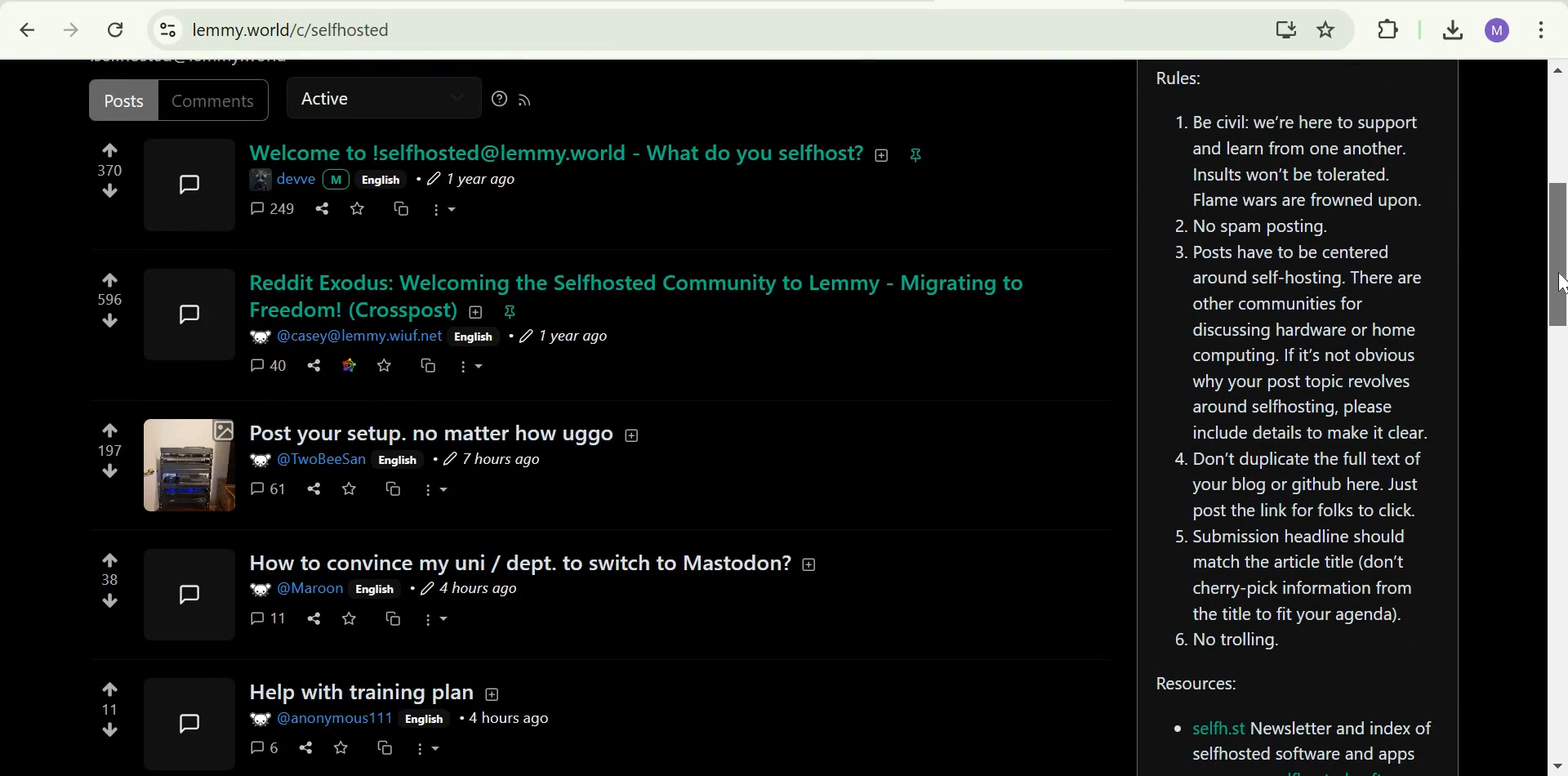 This screenshot has height=776, width=1568. What do you see at coordinates (474, 368) in the screenshot?
I see `more` at bounding box center [474, 368].